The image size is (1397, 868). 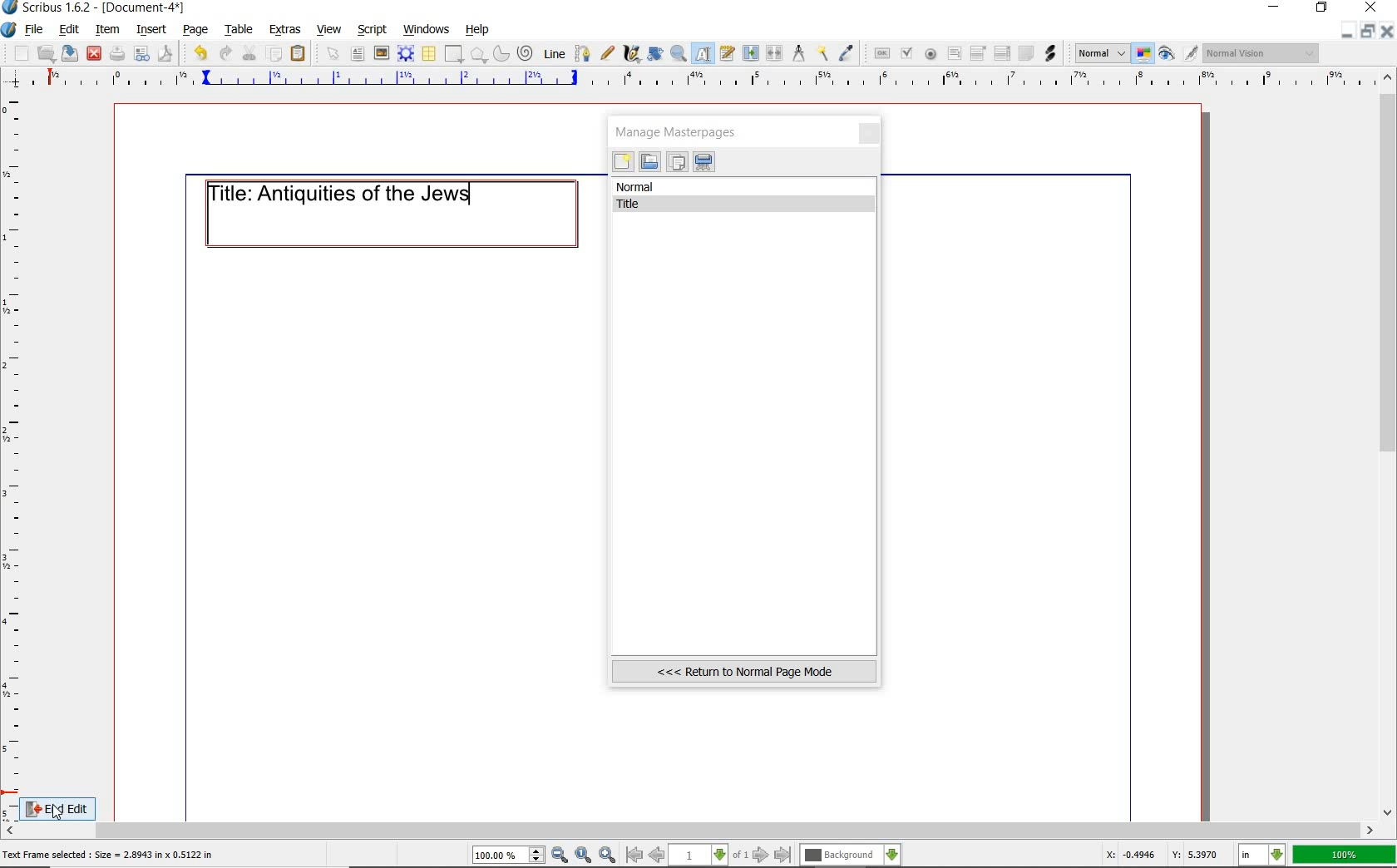 I want to click on save, so click(x=71, y=53).